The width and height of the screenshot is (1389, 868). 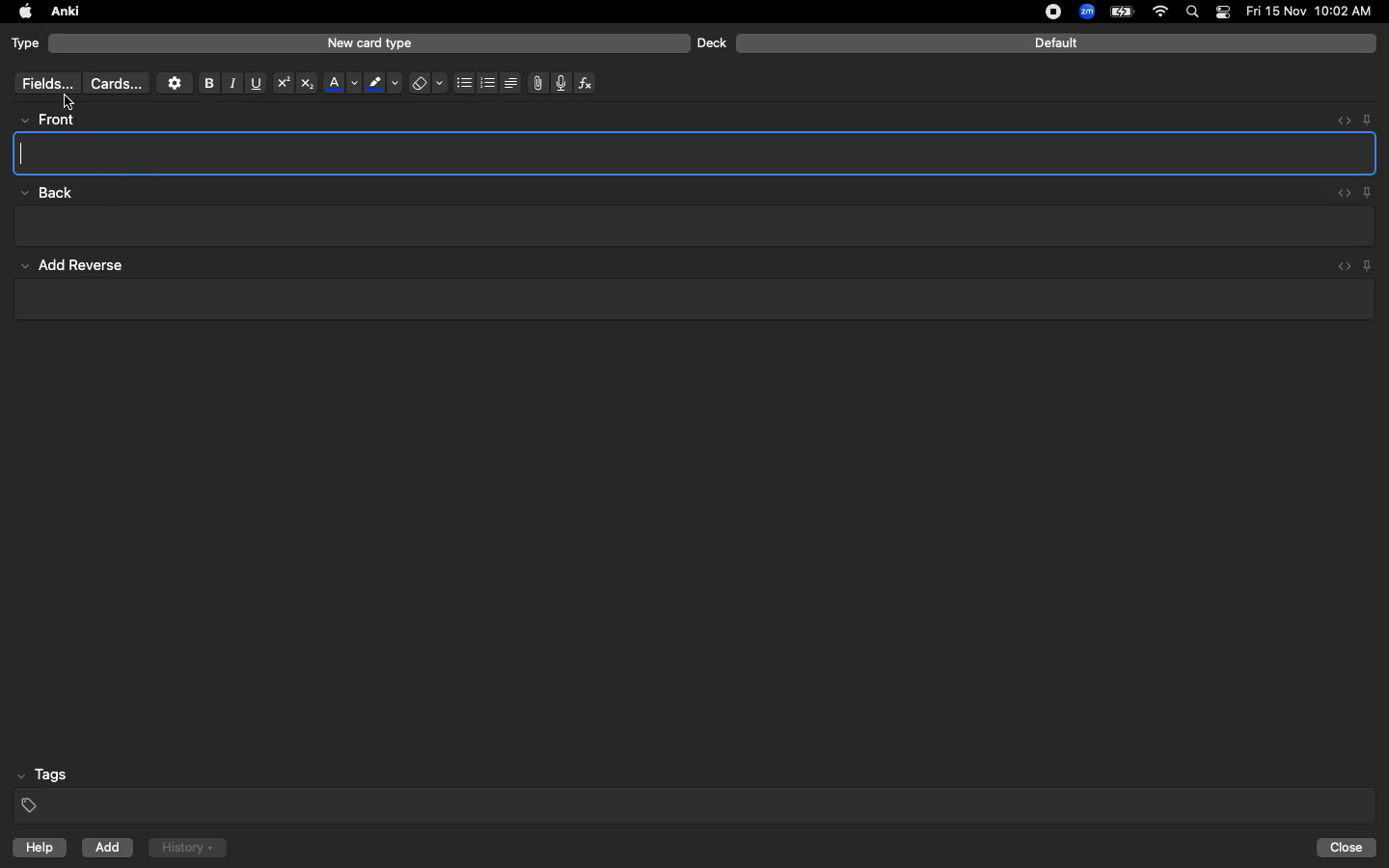 I want to click on Underline, so click(x=255, y=84).